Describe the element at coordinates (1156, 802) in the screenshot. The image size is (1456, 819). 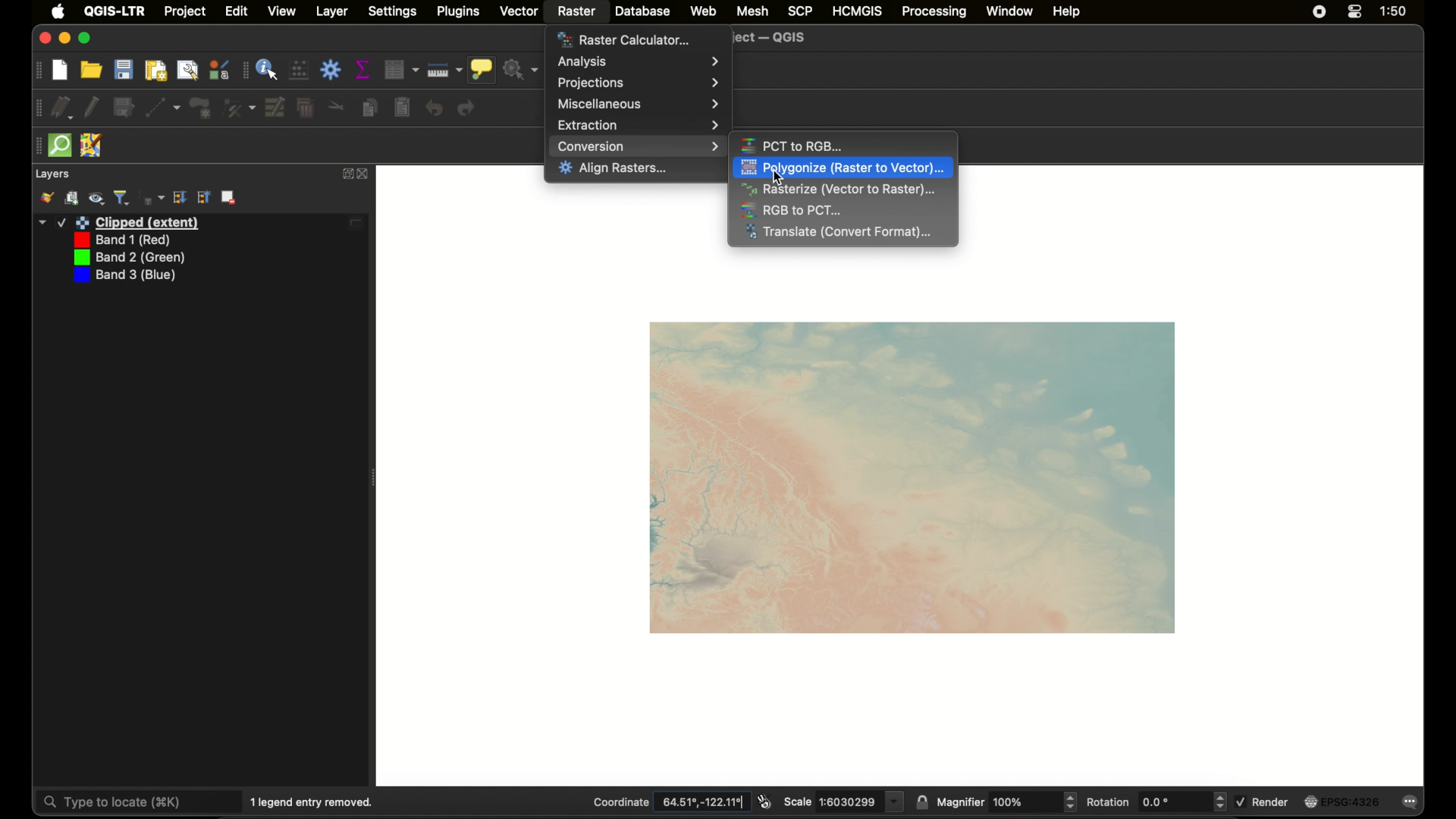
I see `rotation` at that location.